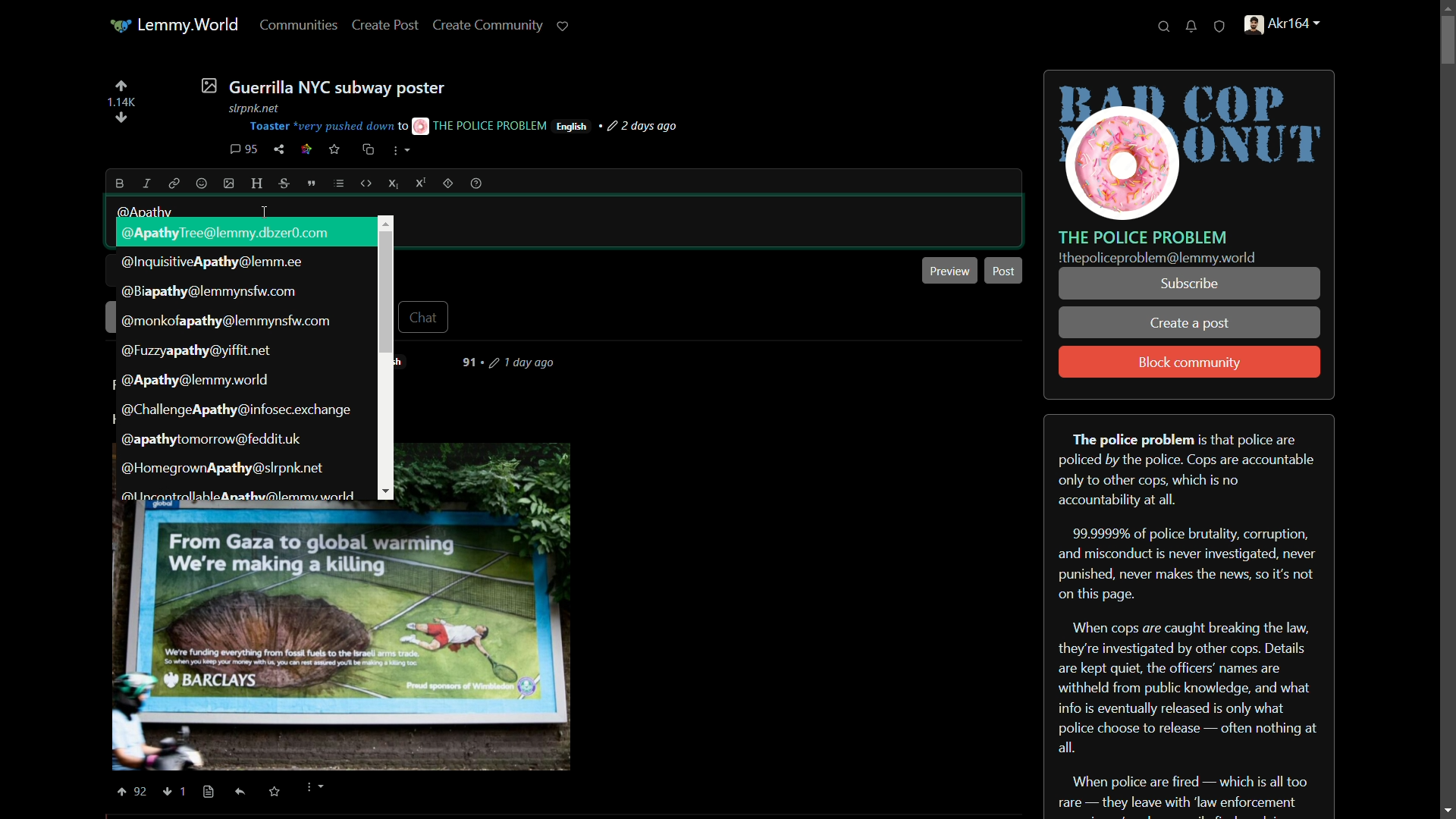 This screenshot has width=1456, height=819. I want to click on more options, so click(313, 789).